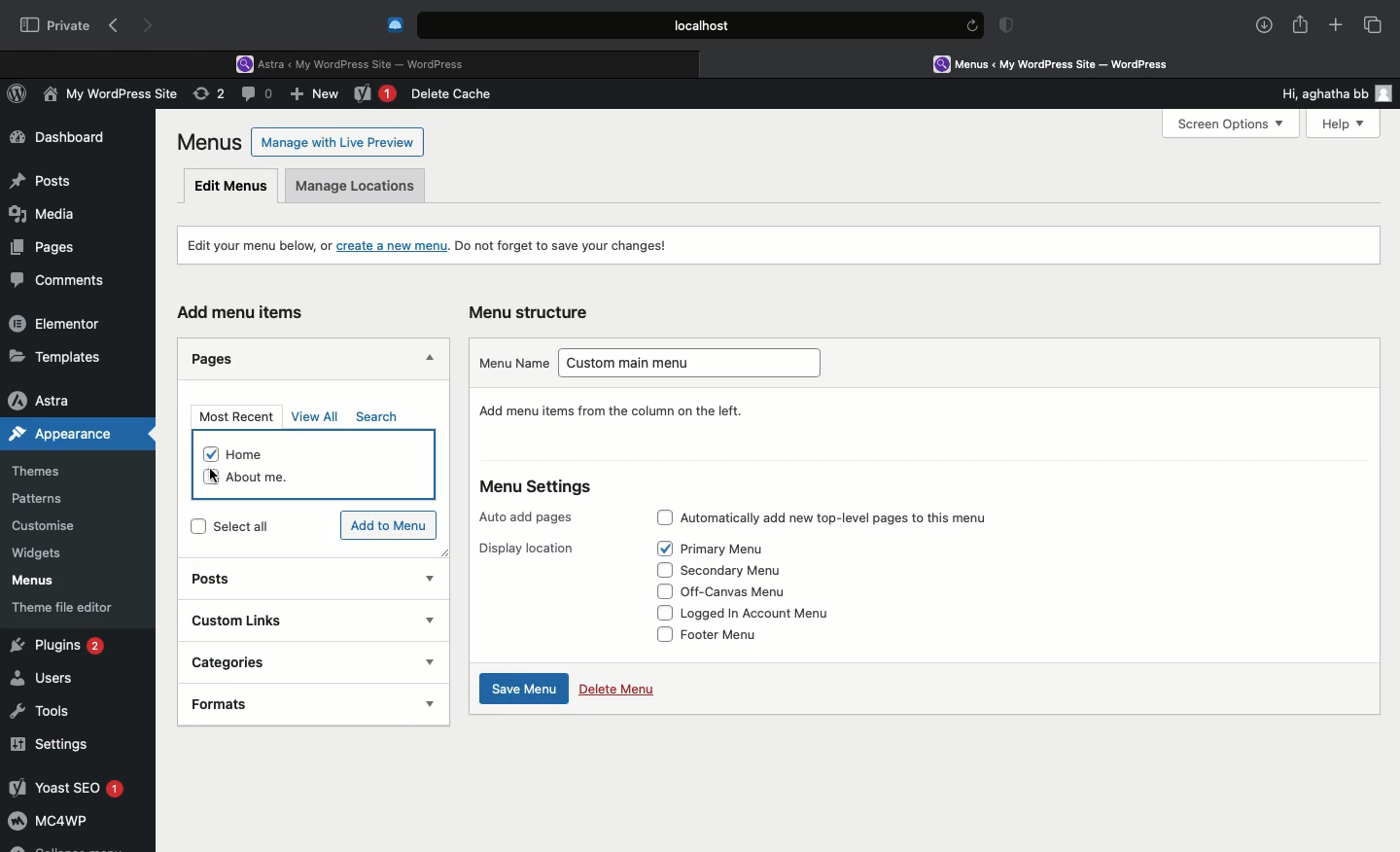 The width and height of the screenshot is (1400, 852). What do you see at coordinates (107, 97) in the screenshot?
I see `My WordPress Site` at bounding box center [107, 97].